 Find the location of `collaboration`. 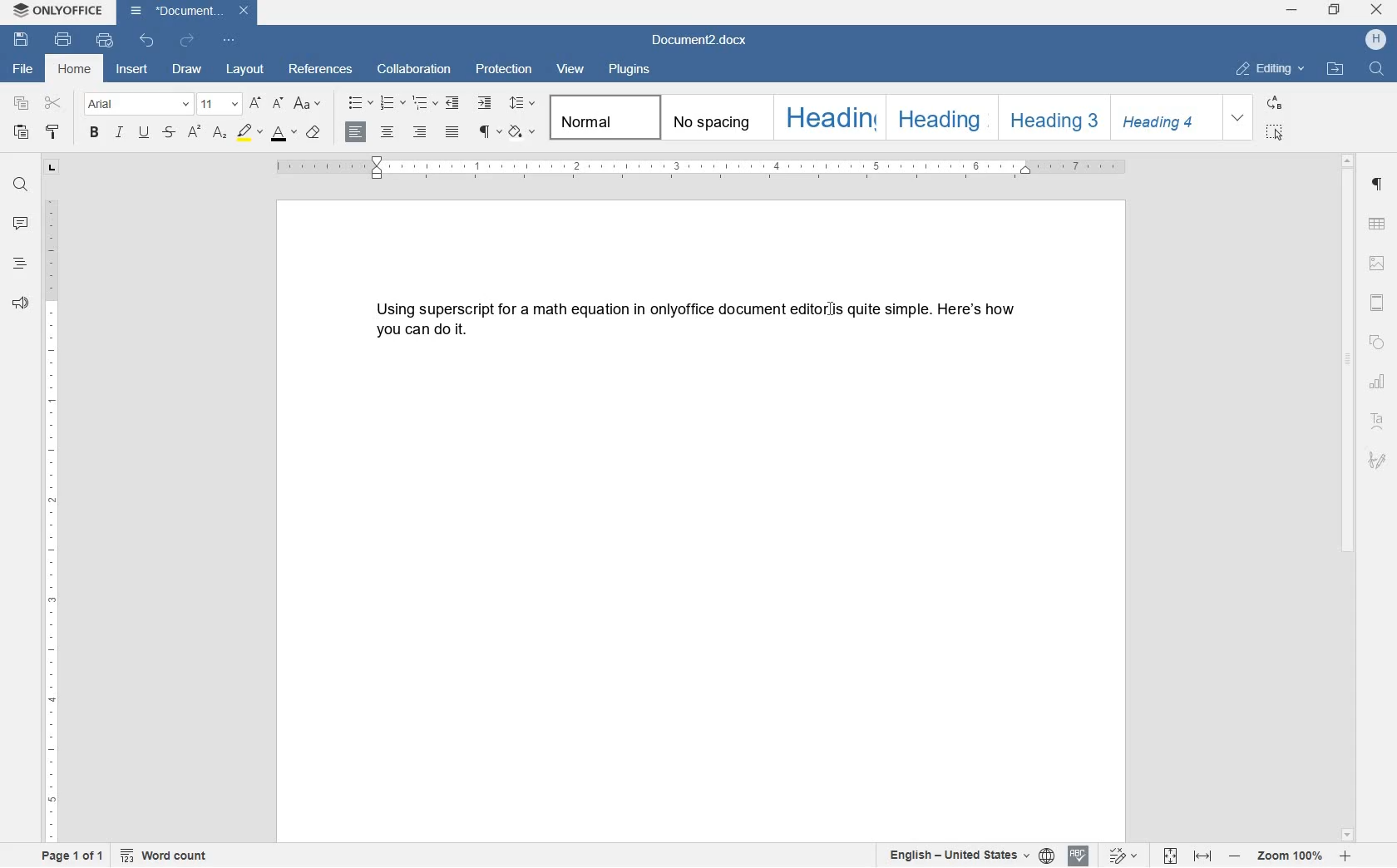

collaboration is located at coordinates (414, 71).